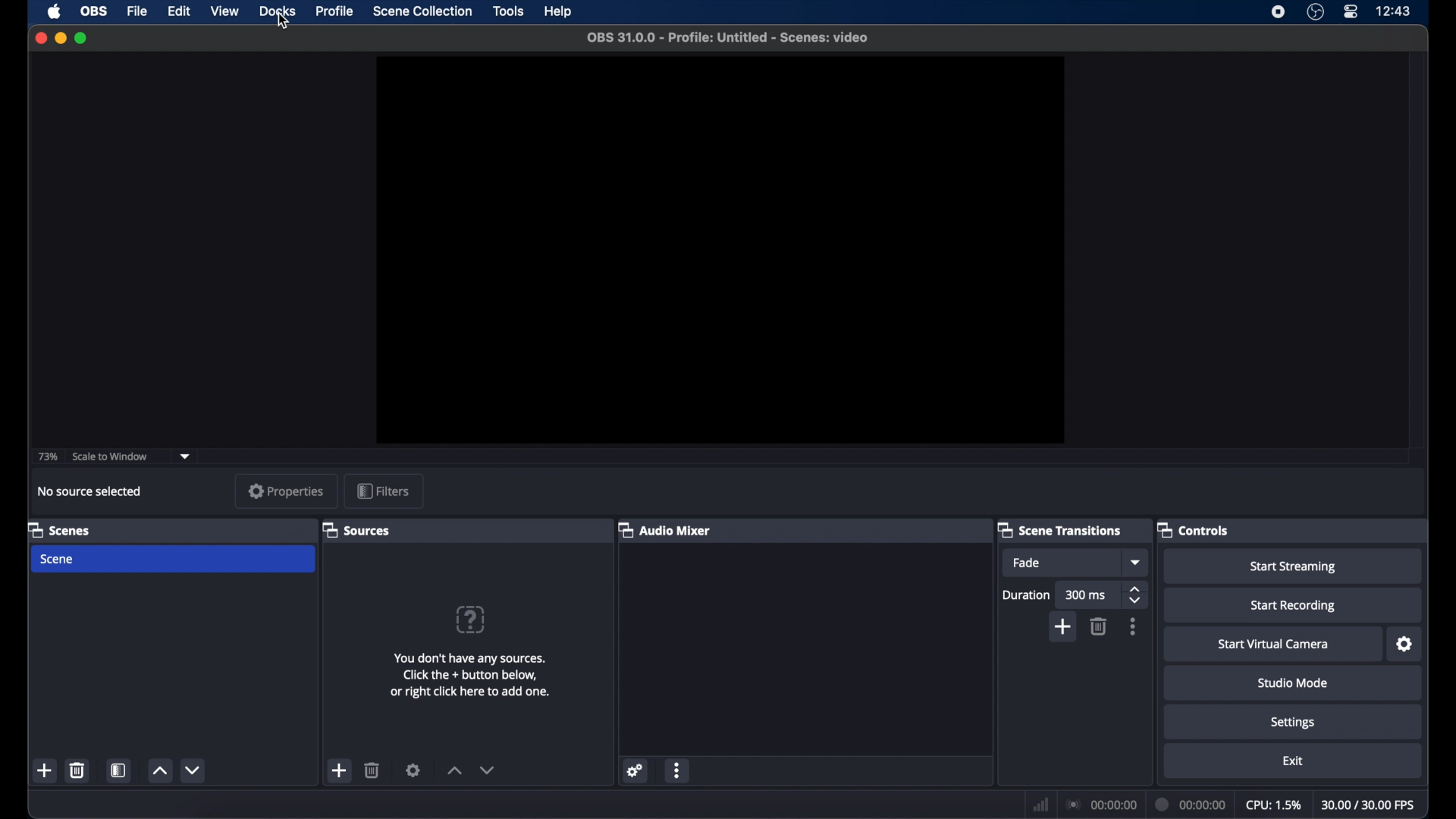  What do you see at coordinates (1064, 626) in the screenshot?
I see `add` at bounding box center [1064, 626].